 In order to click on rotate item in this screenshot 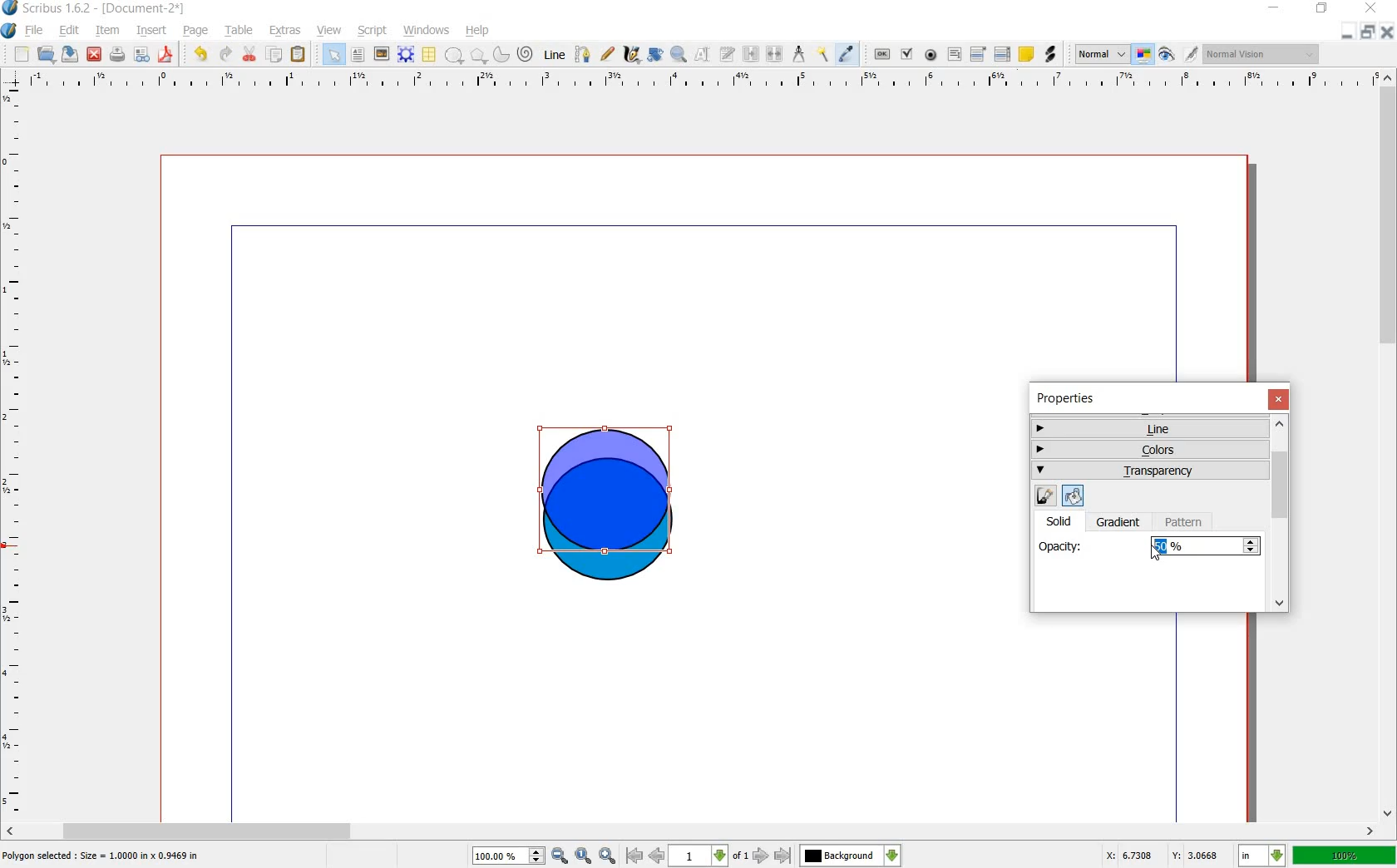, I will do `click(655, 55)`.